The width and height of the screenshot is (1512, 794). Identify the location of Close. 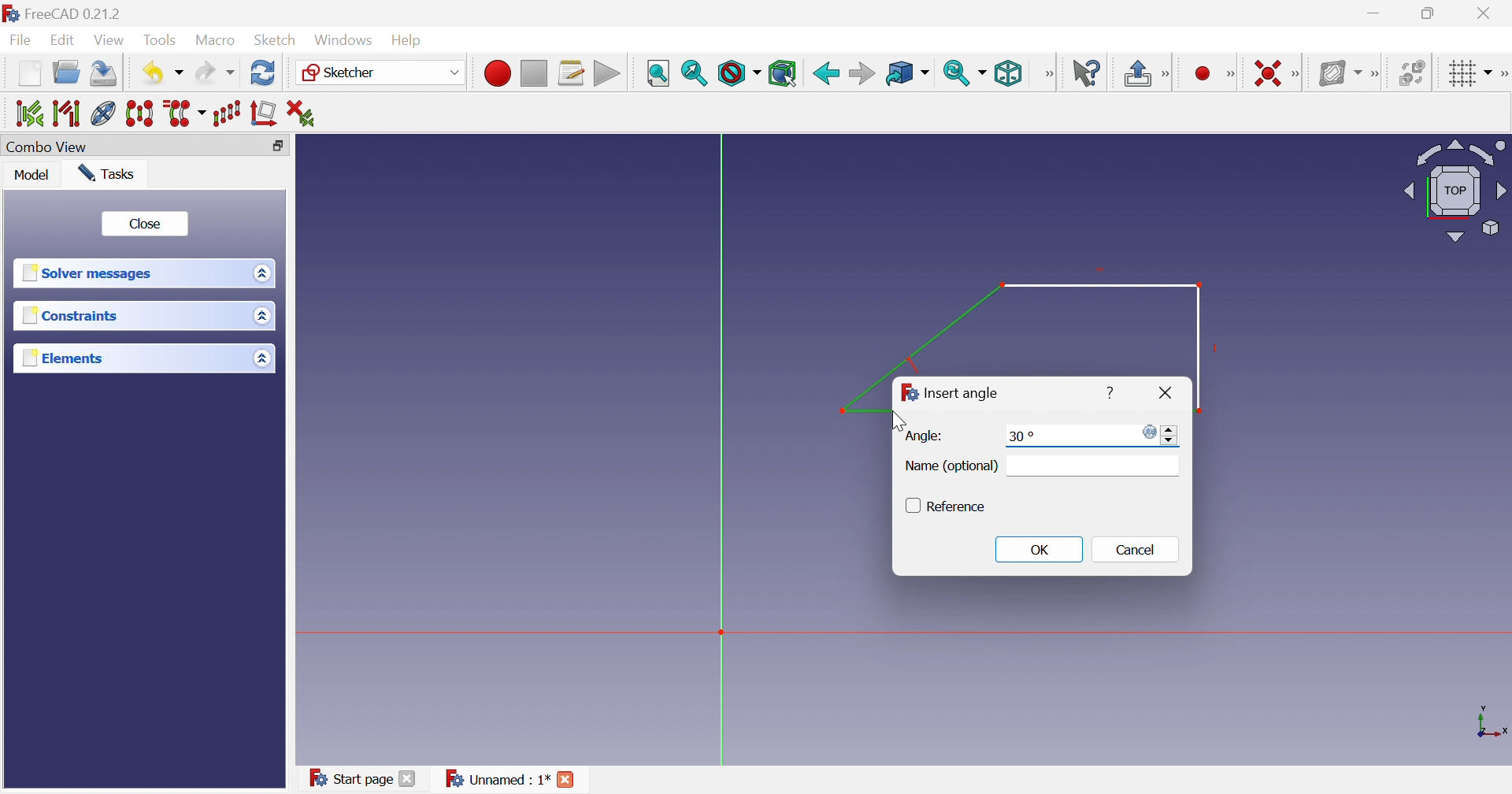
(569, 781).